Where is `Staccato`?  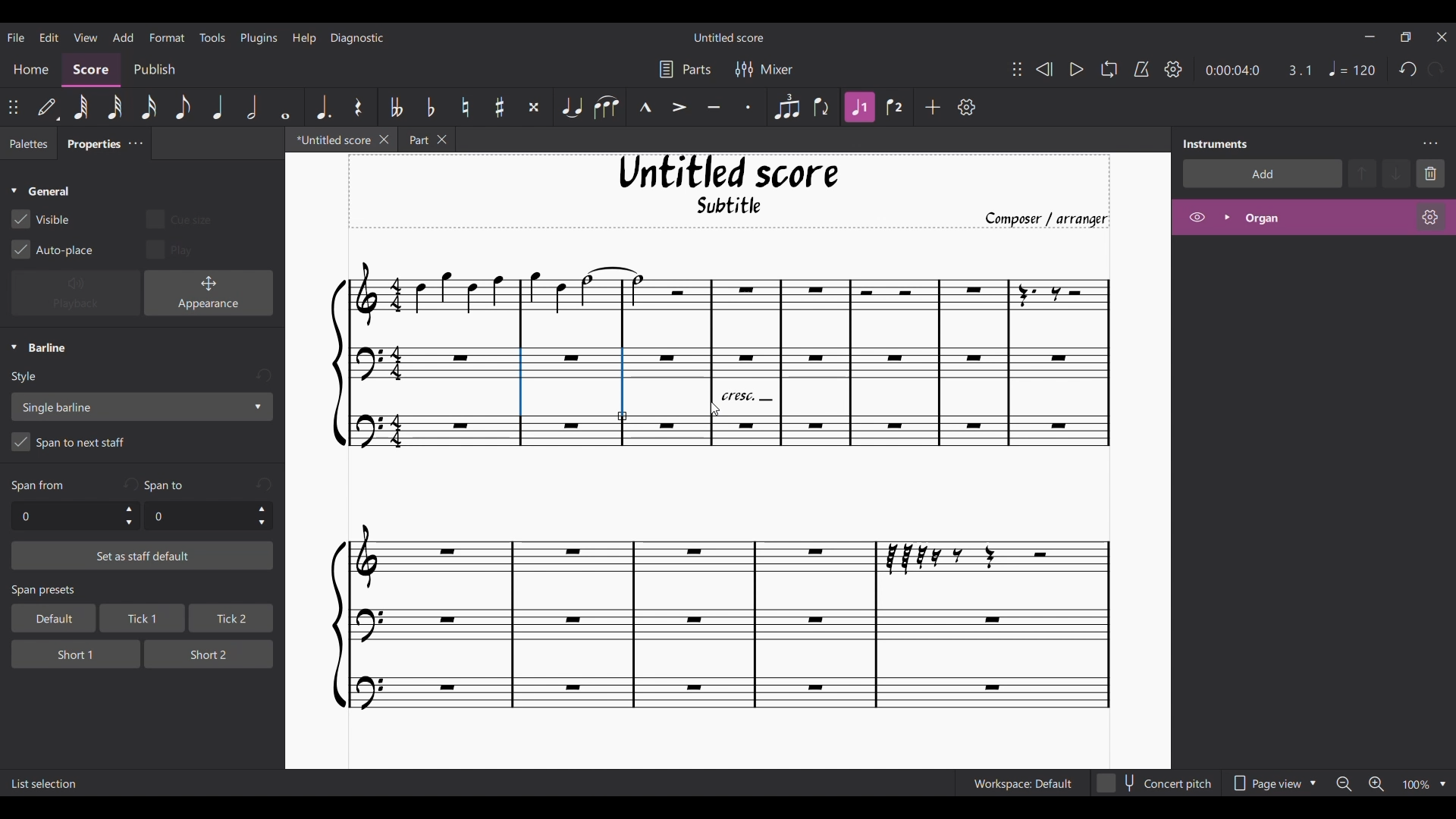
Staccato is located at coordinates (749, 107).